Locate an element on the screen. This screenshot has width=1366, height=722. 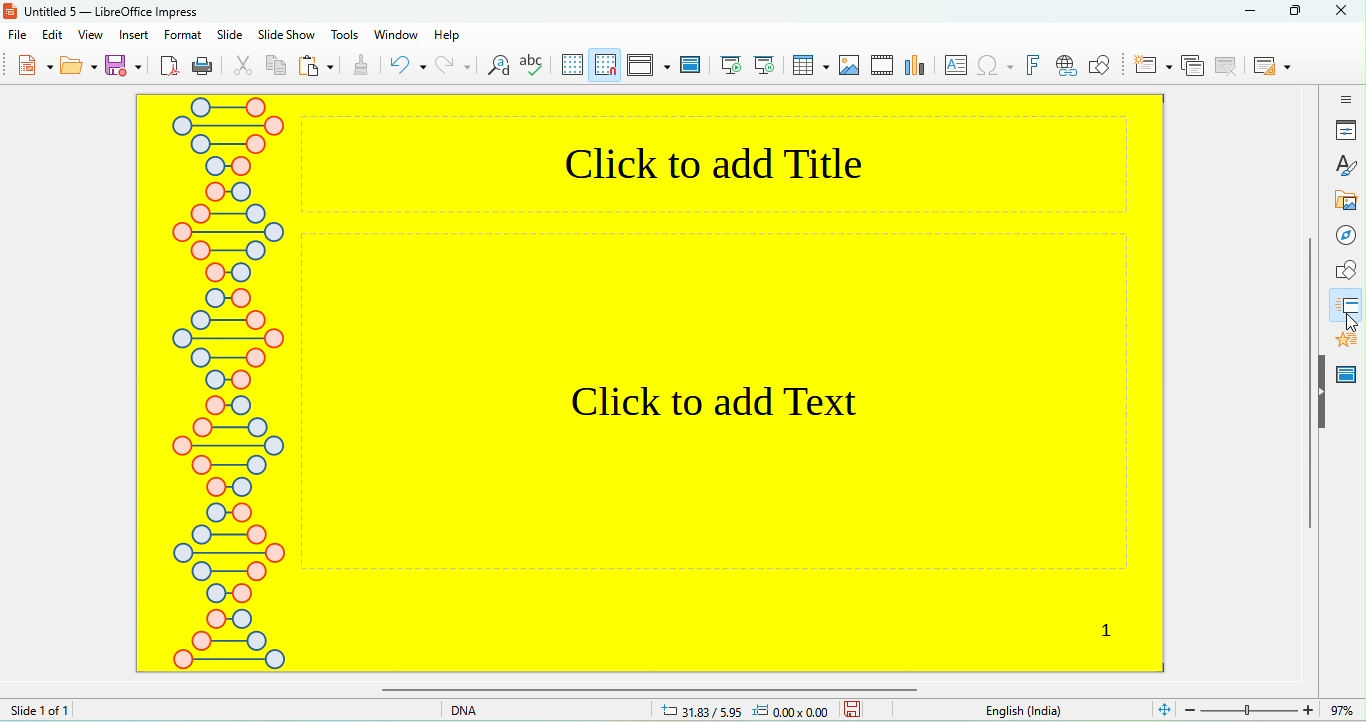
redo is located at coordinates (452, 70).